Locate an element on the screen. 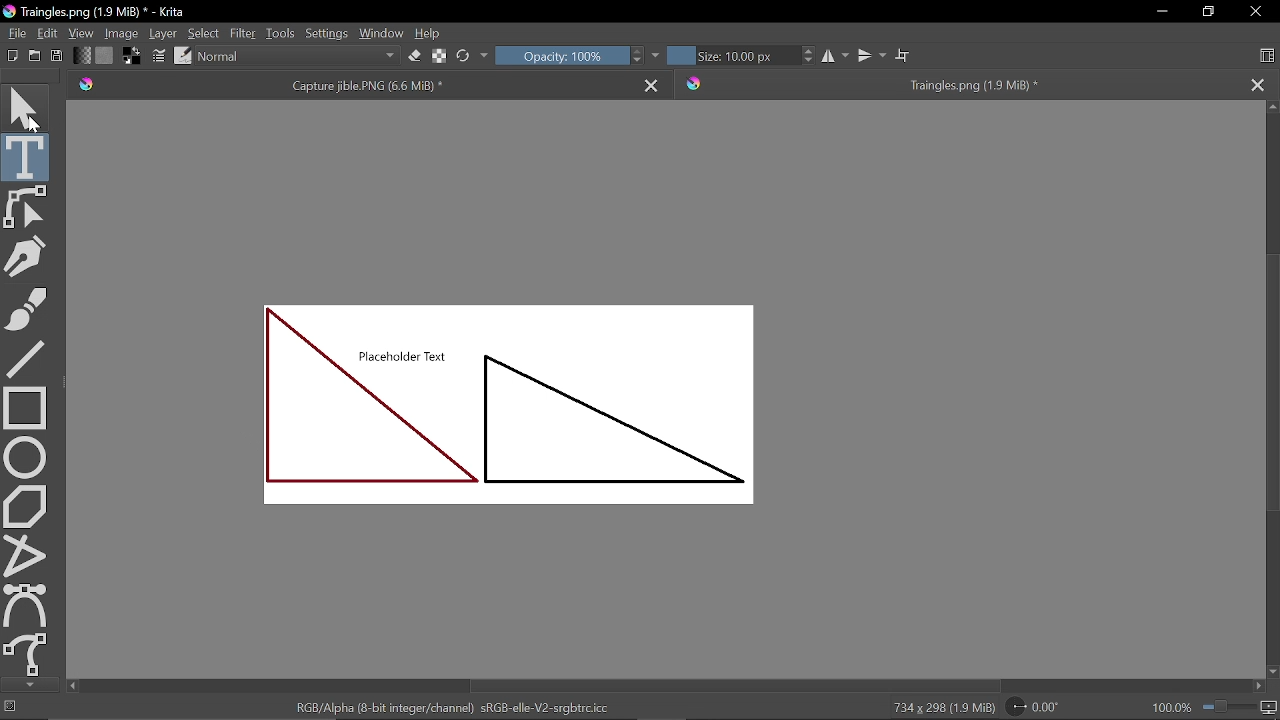 The height and width of the screenshot is (720, 1280). Freehand brush tool is located at coordinates (28, 311).